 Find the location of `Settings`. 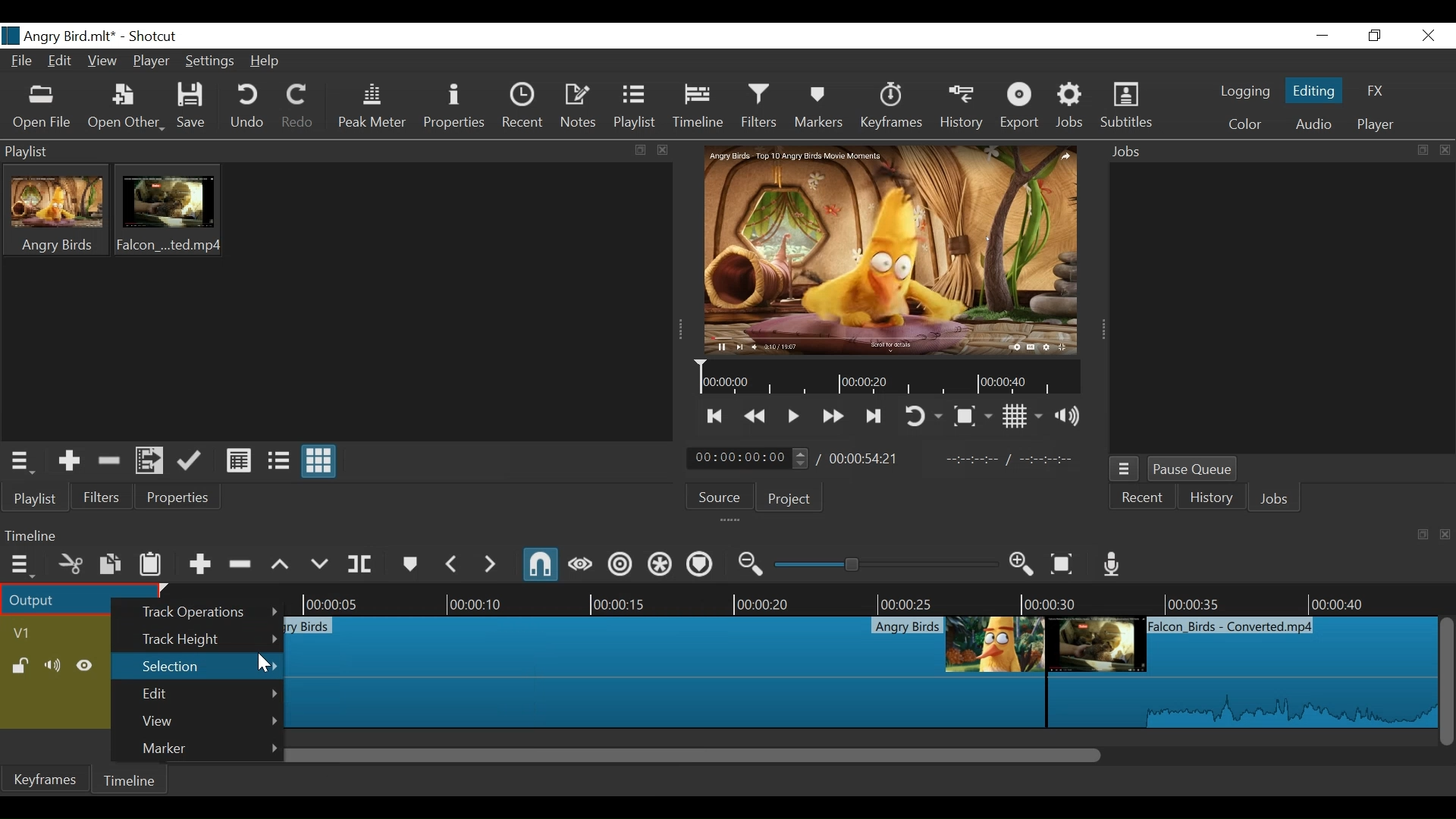

Settings is located at coordinates (210, 62).